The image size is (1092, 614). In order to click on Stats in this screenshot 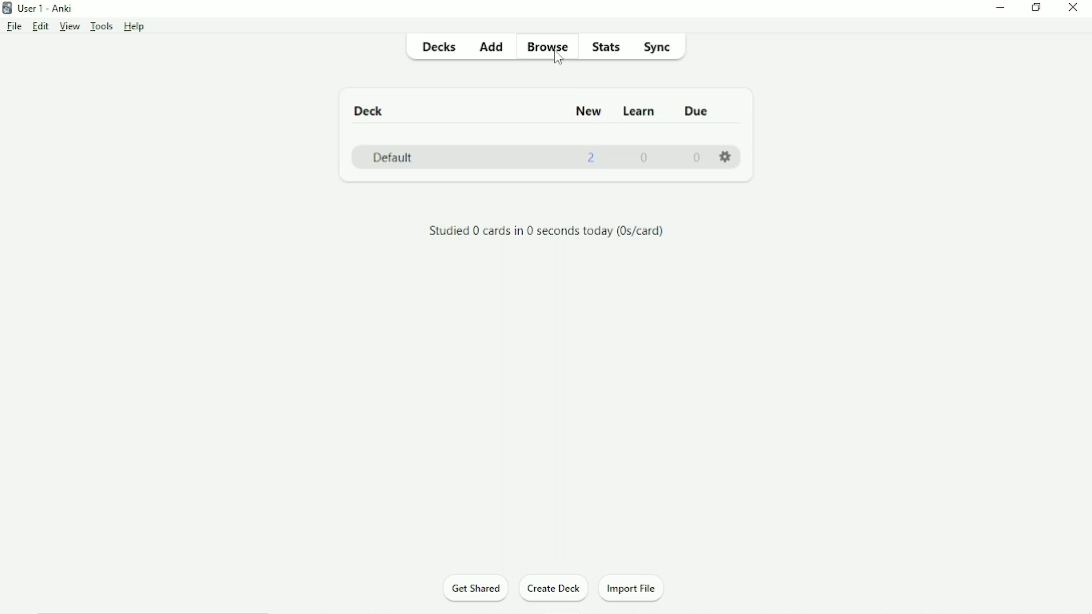, I will do `click(607, 47)`.